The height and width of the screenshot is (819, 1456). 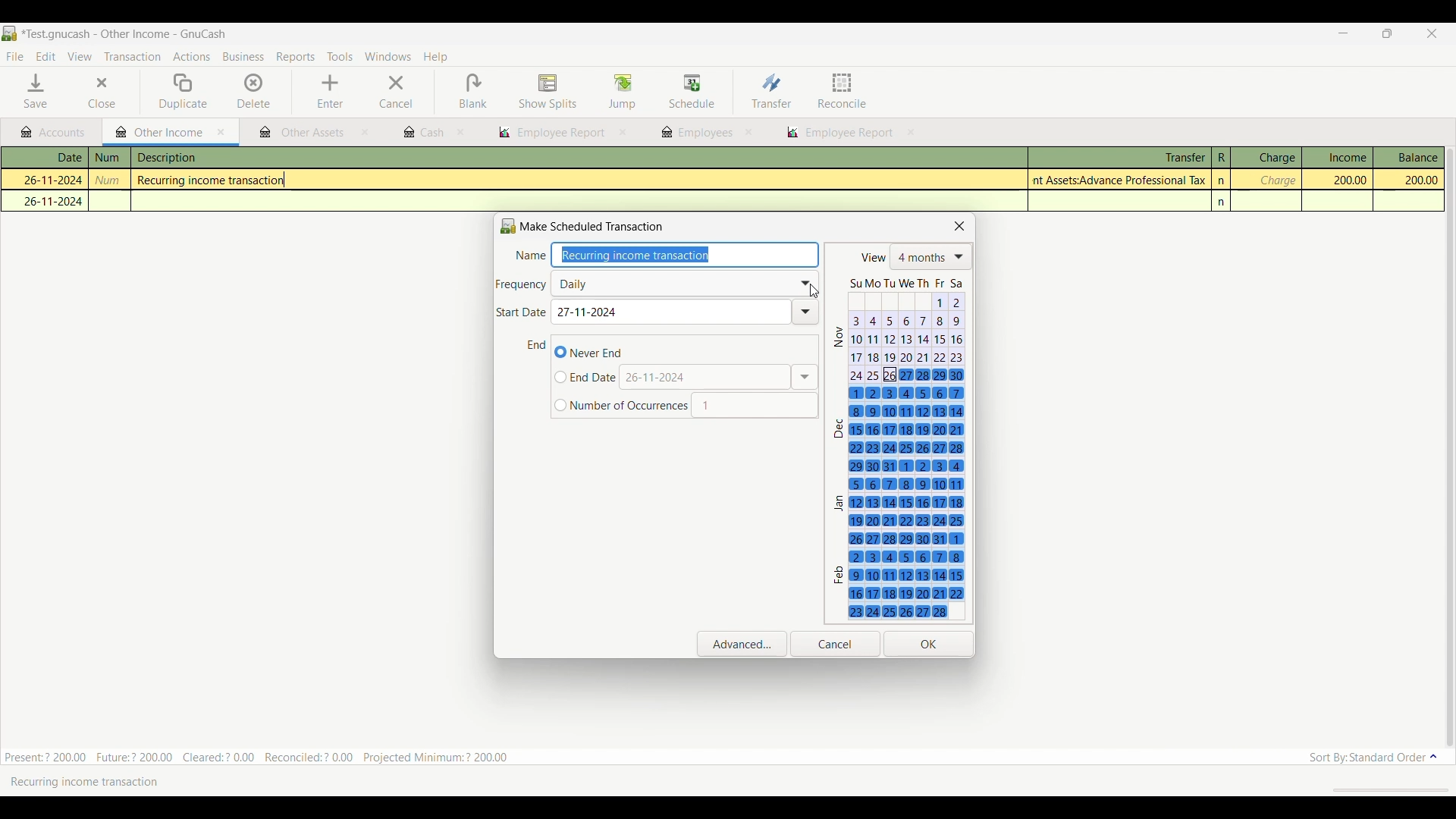 What do you see at coordinates (580, 226) in the screenshot?
I see `Name of current window` at bounding box center [580, 226].